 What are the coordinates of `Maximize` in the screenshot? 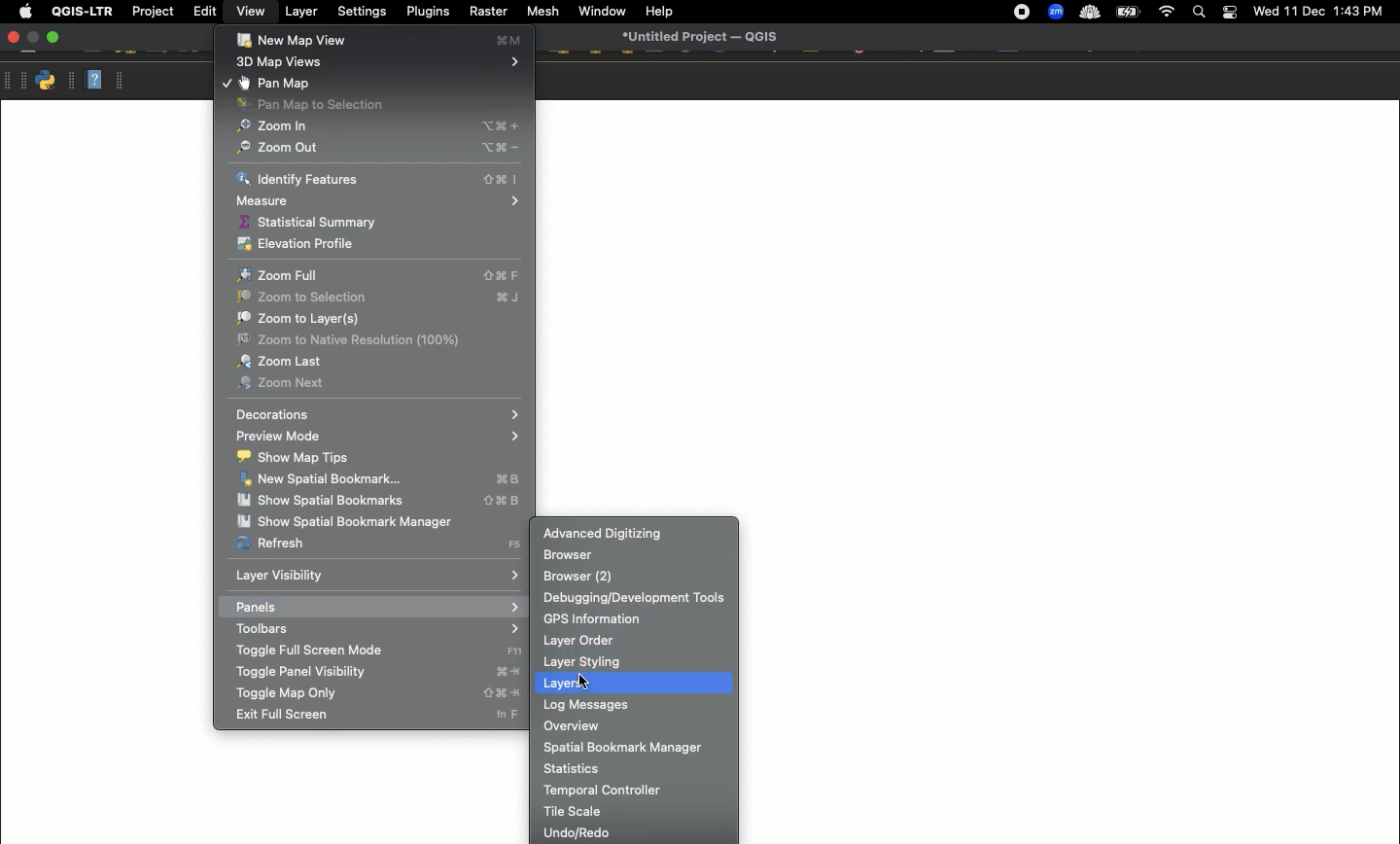 It's located at (52, 37).